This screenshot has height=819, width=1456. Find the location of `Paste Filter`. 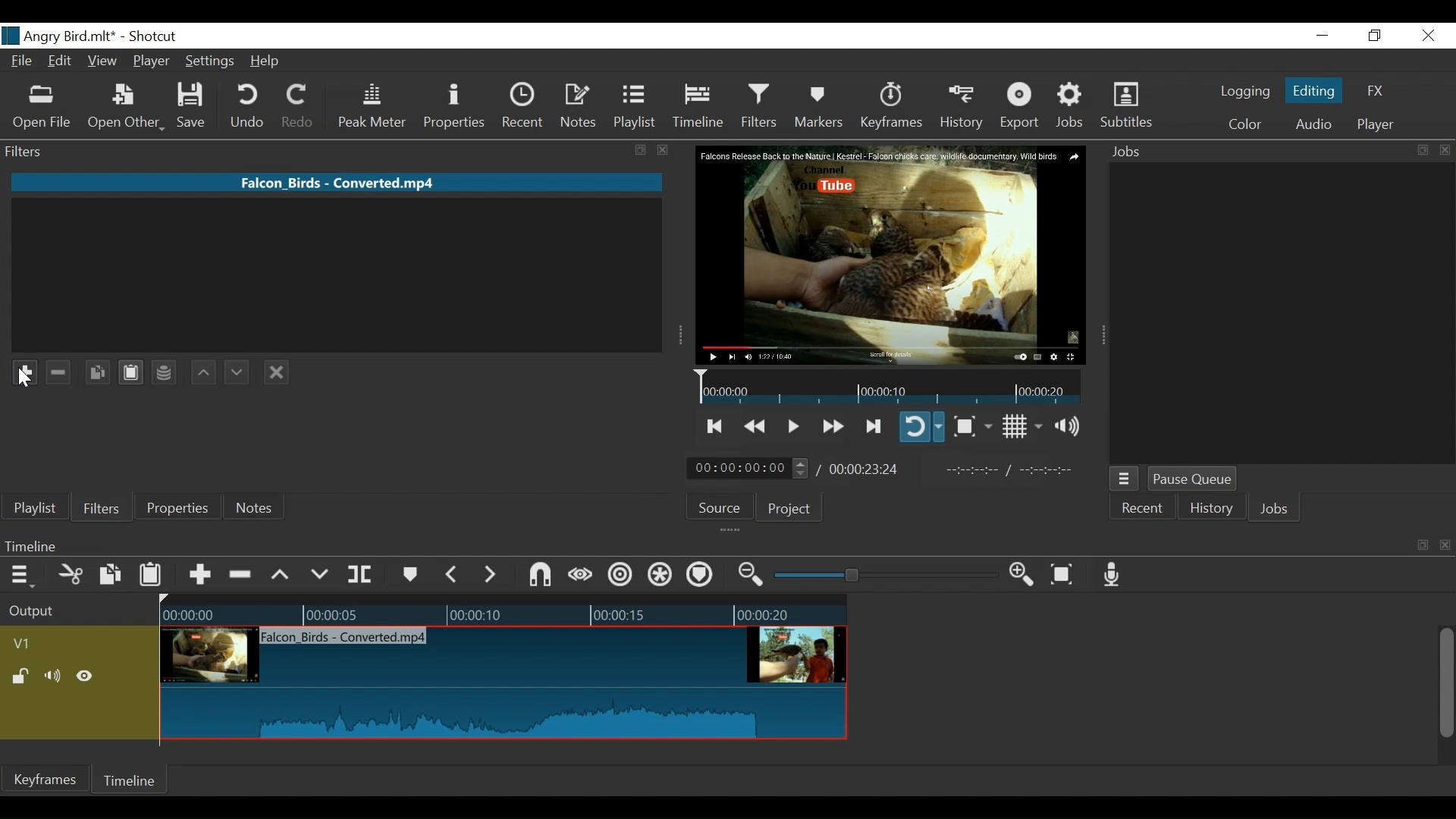

Paste Filter is located at coordinates (130, 372).